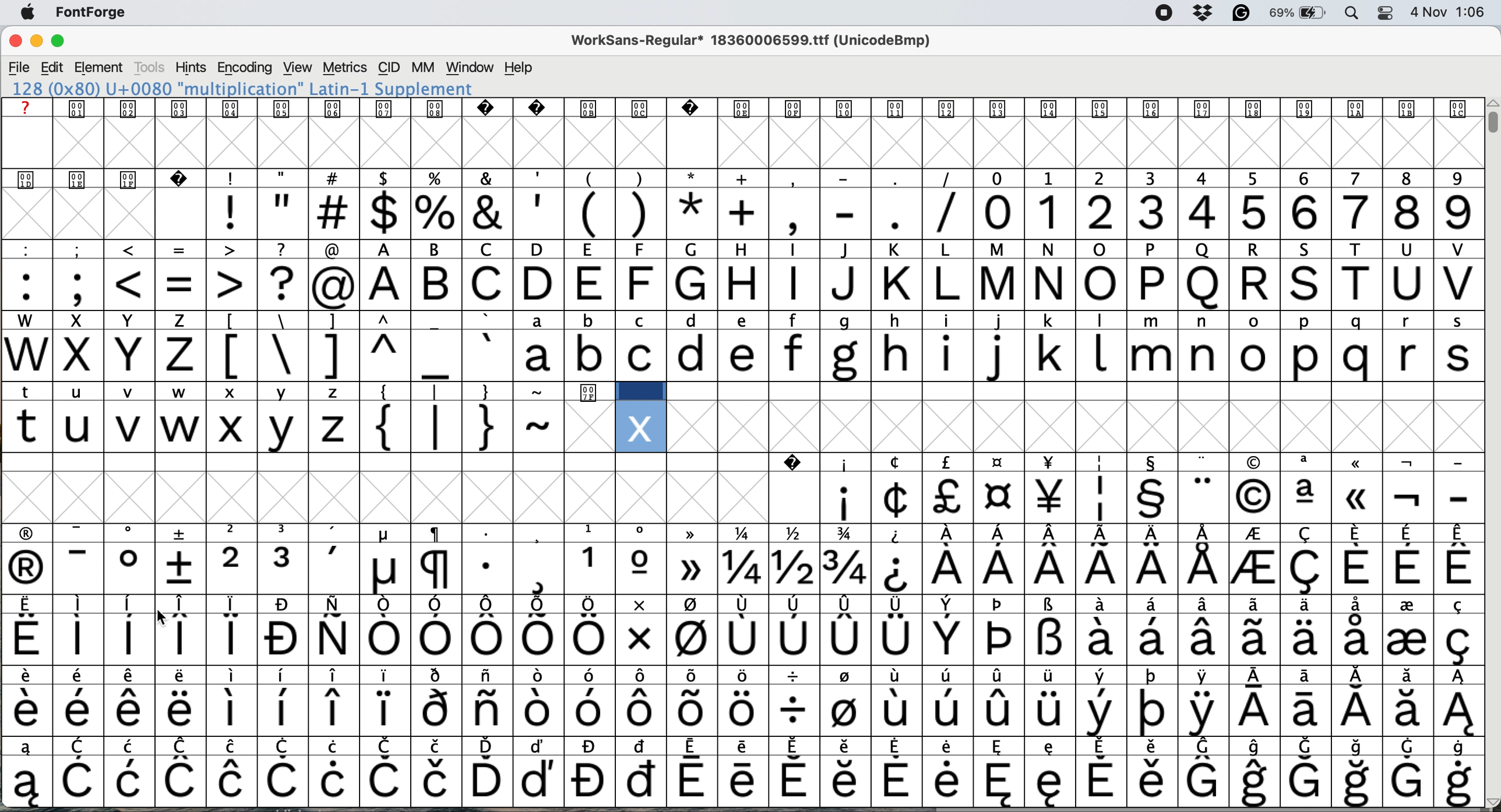 The image size is (1501, 812). I want to click on special characters, so click(180, 284).